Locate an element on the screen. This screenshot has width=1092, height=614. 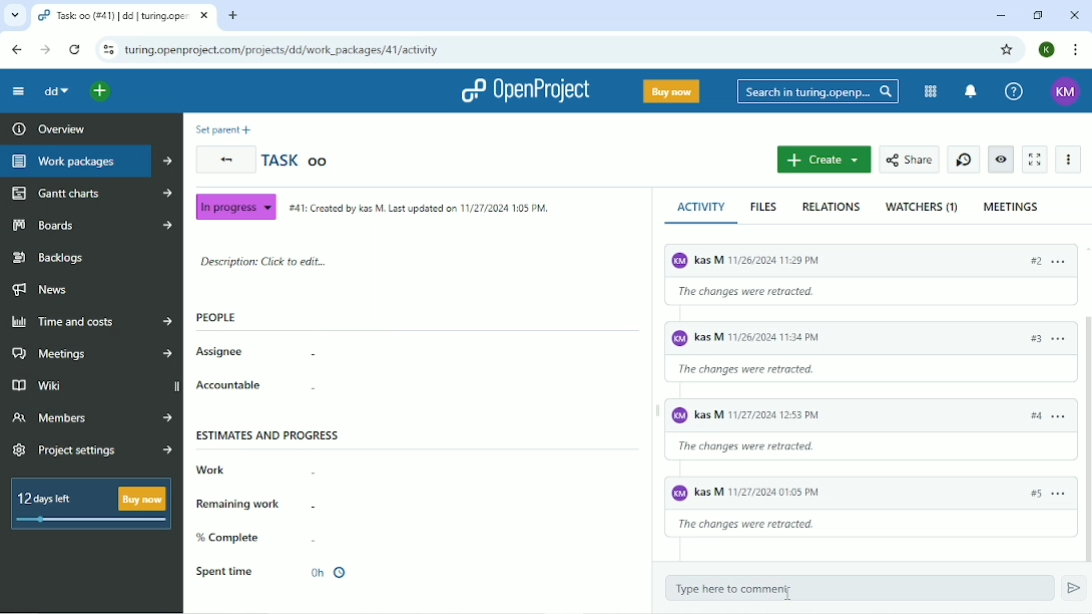
New tab is located at coordinates (234, 16).